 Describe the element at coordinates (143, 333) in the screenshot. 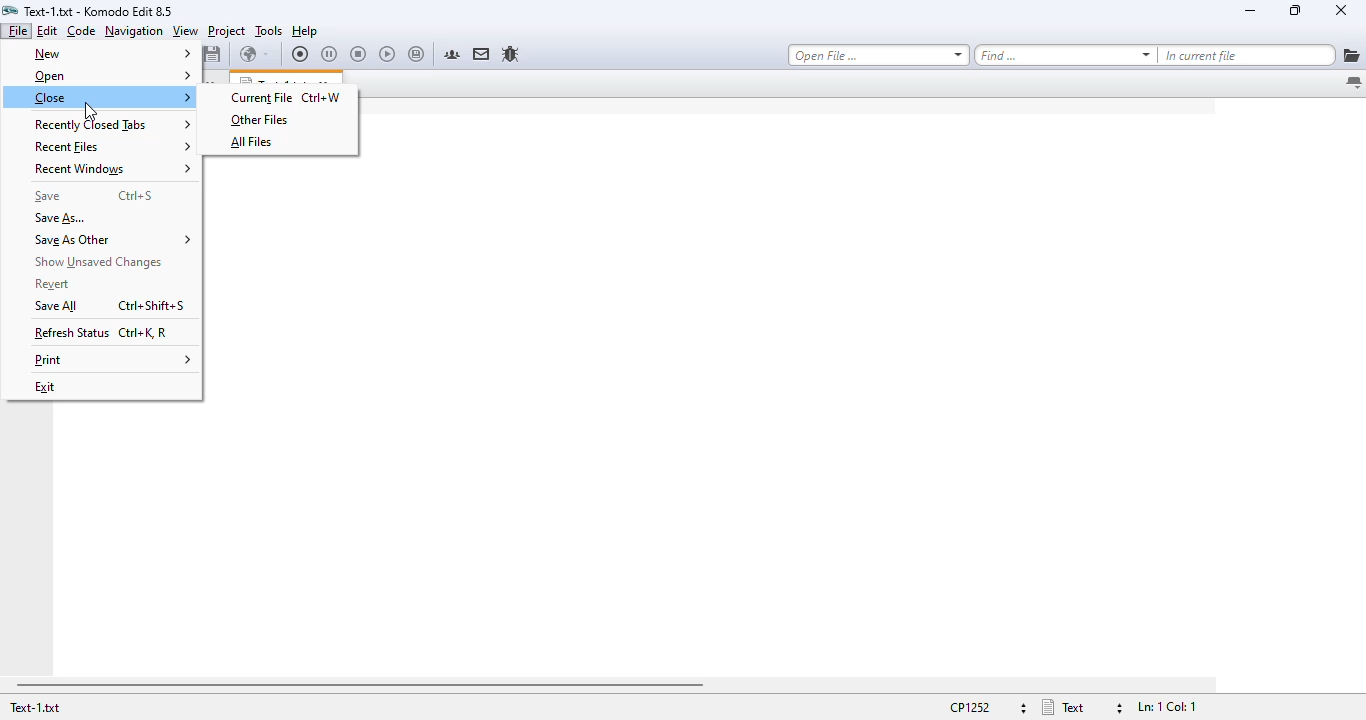

I see `shortcut for refresh status` at that location.